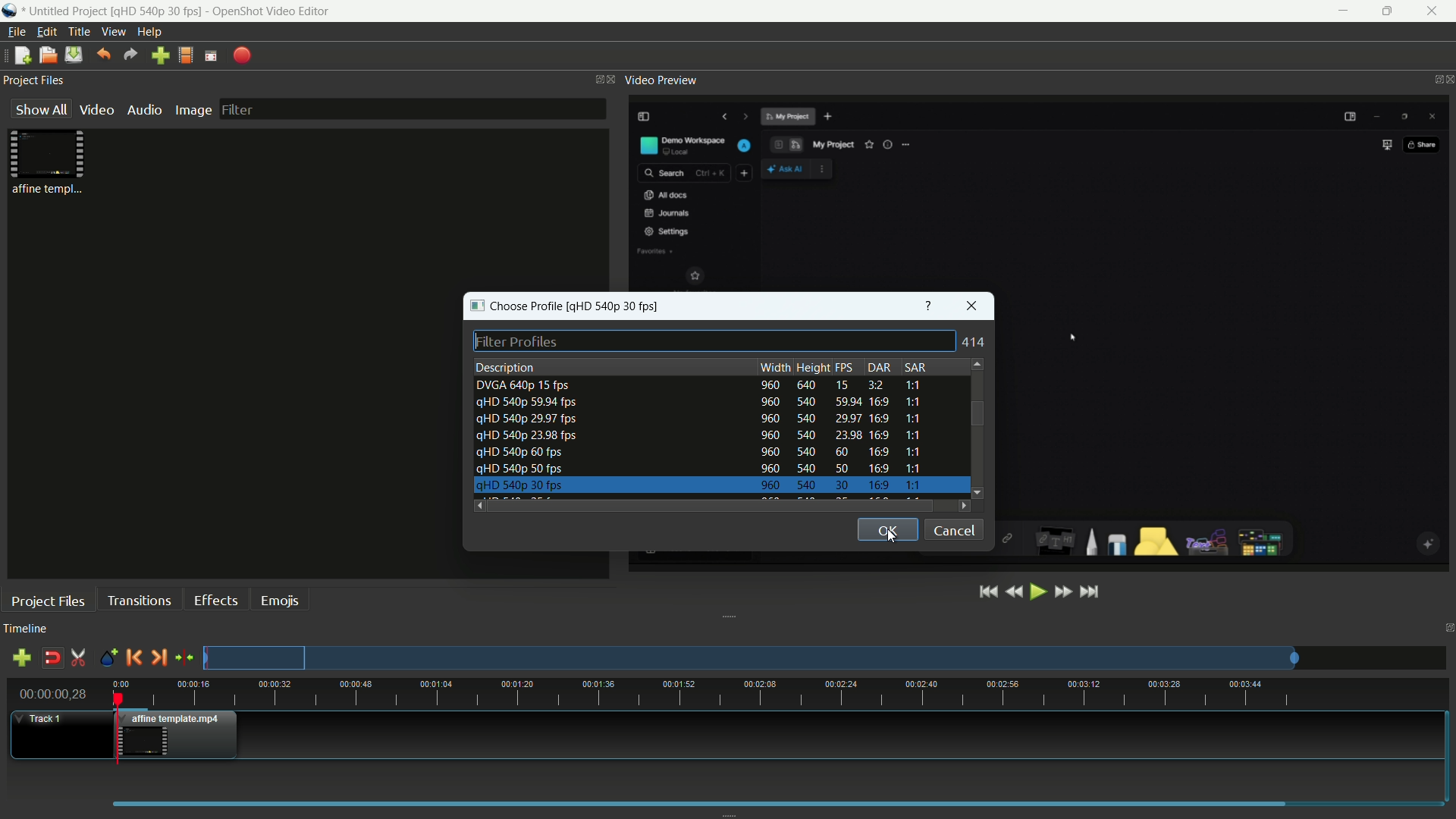  Describe the element at coordinates (813, 367) in the screenshot. I see `height` at that location.